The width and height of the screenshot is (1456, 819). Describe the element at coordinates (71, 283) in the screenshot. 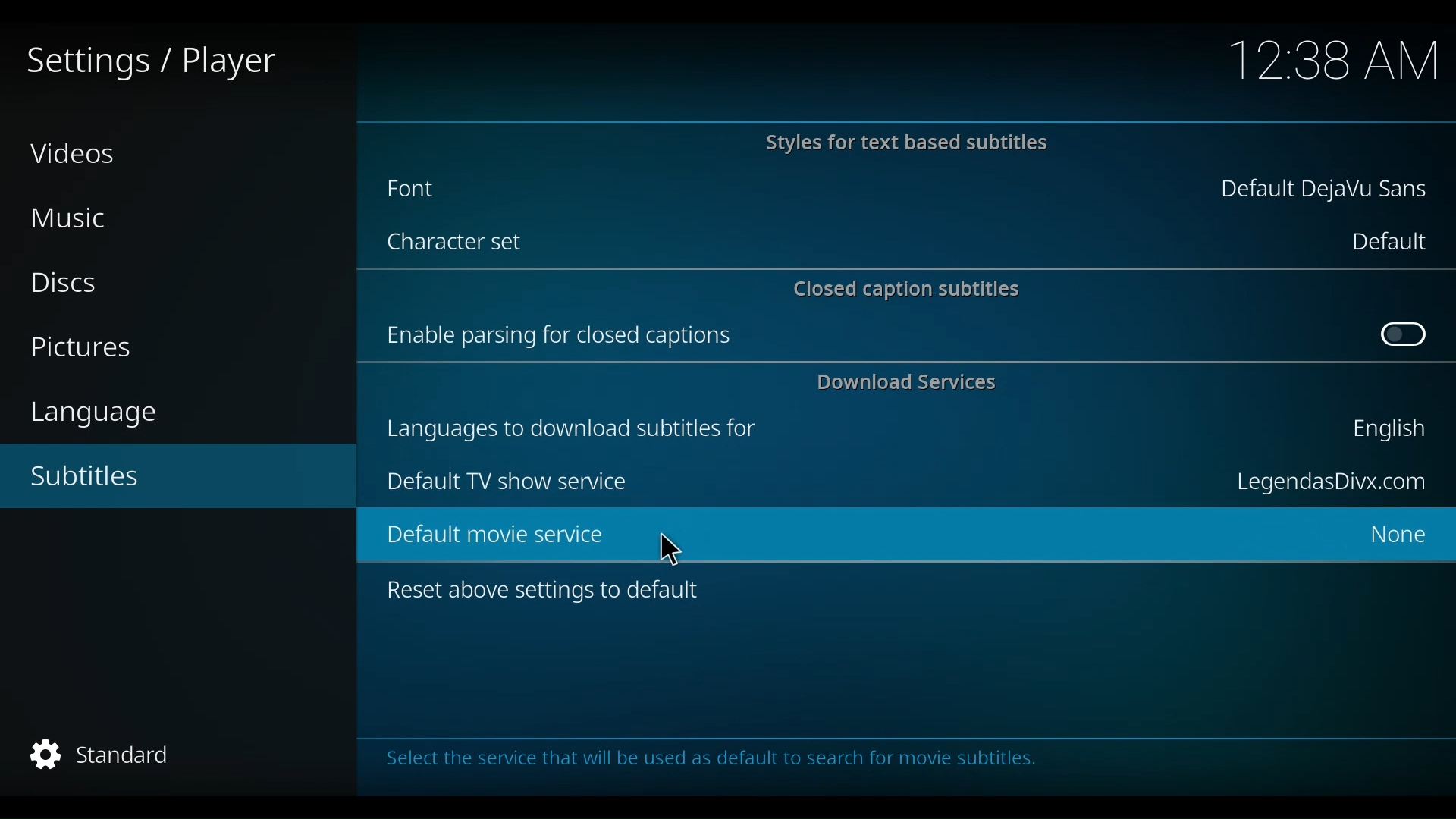

I see `Discs` at that location.